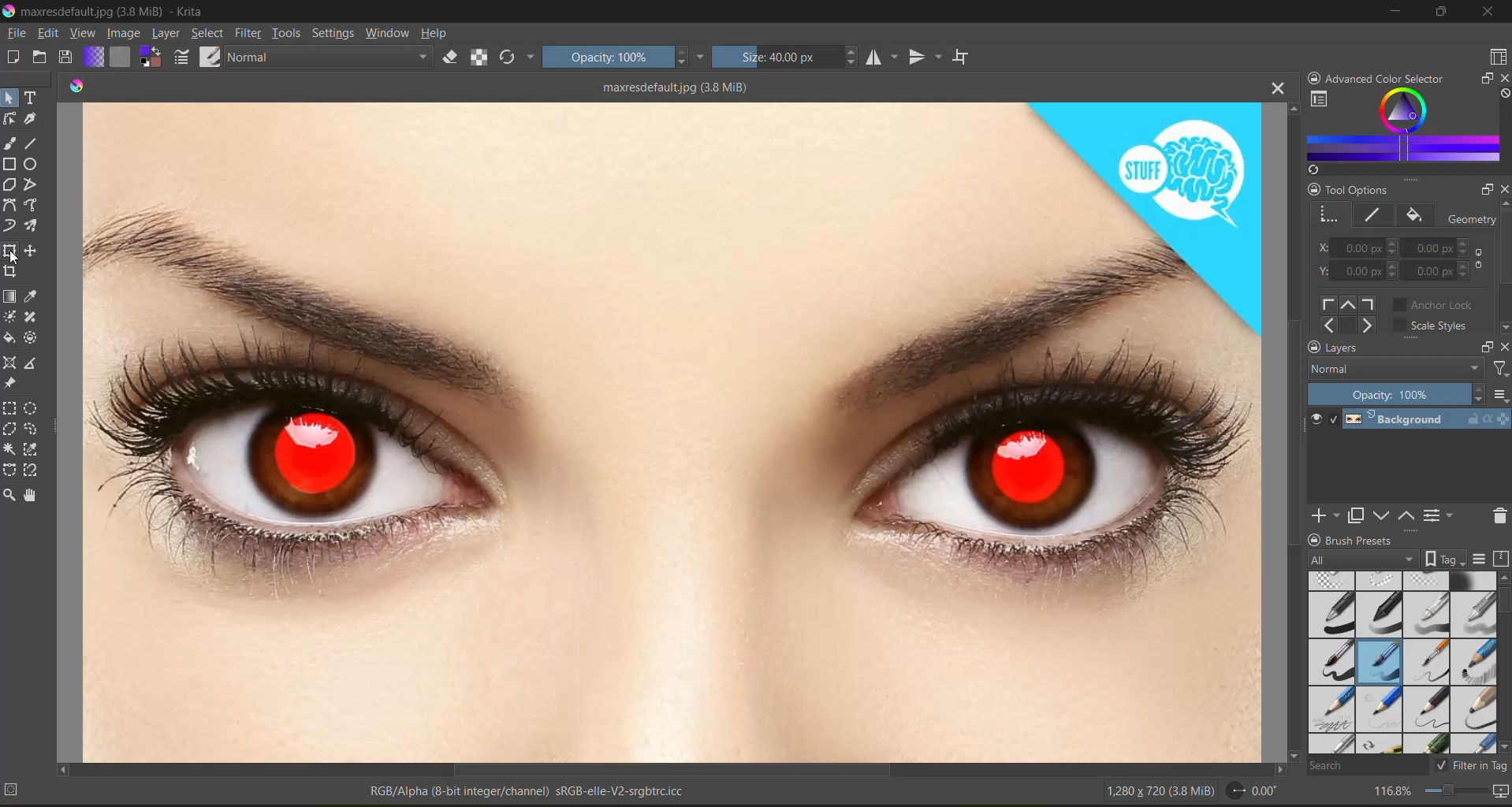 Image resolution: width=1512 pixels, height=807 pixels. What do you see at coordinates (480, 58) in the screenshot?
I see `preserve alpha` at bounding box center [480, 58].